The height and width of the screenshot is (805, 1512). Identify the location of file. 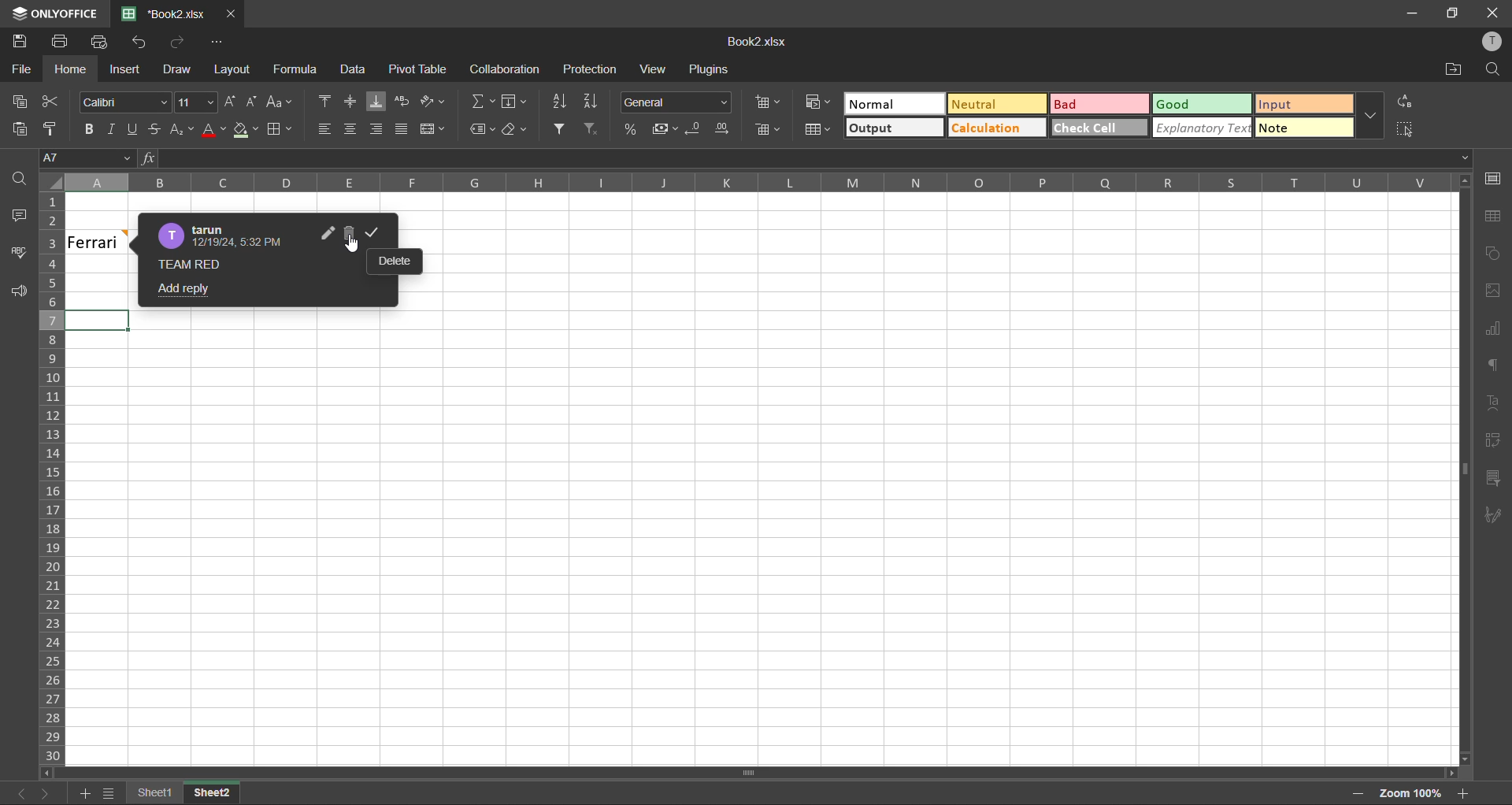
(22, 69).